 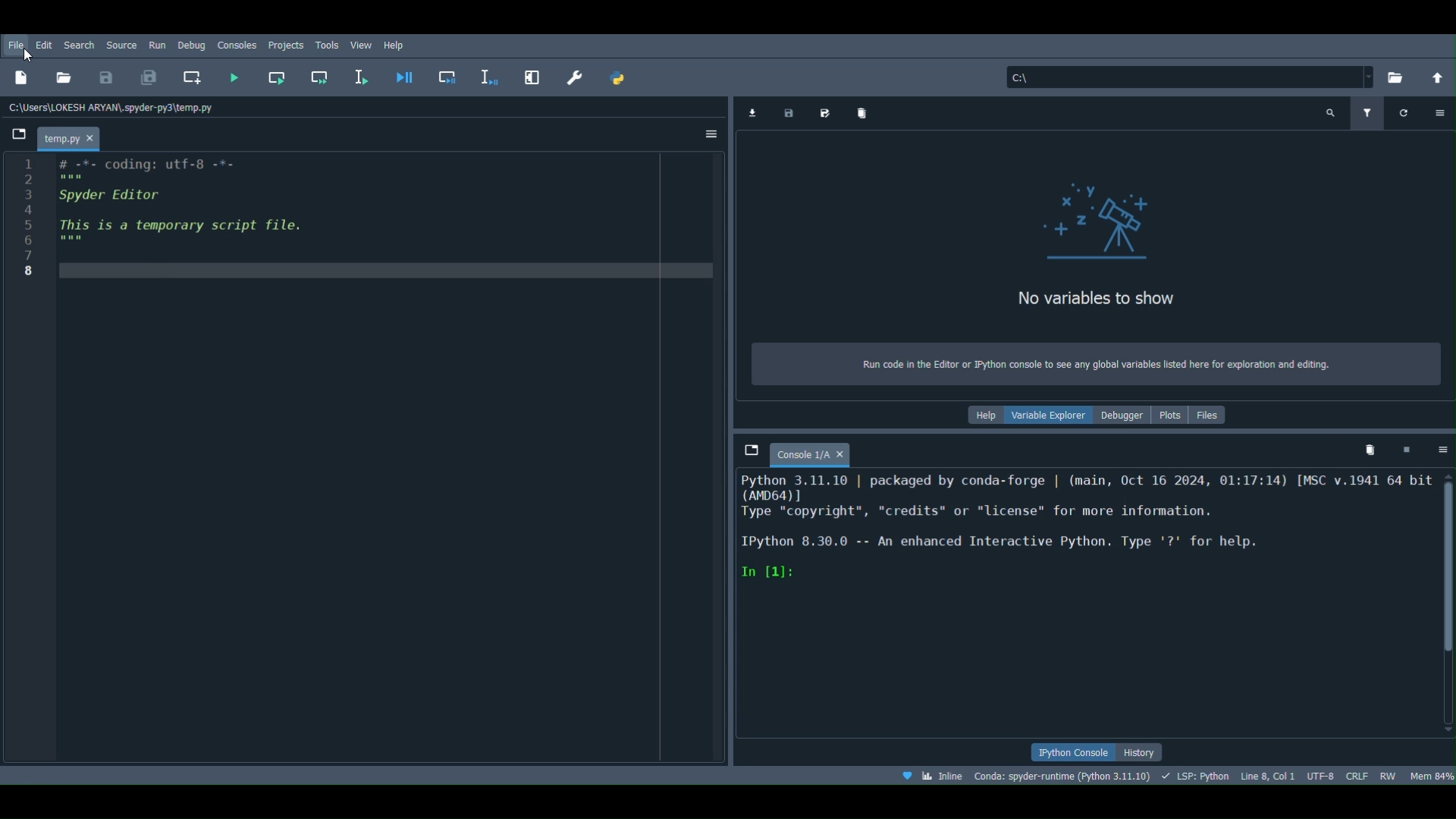 I want to click on Run, so click(x=155, y=43).